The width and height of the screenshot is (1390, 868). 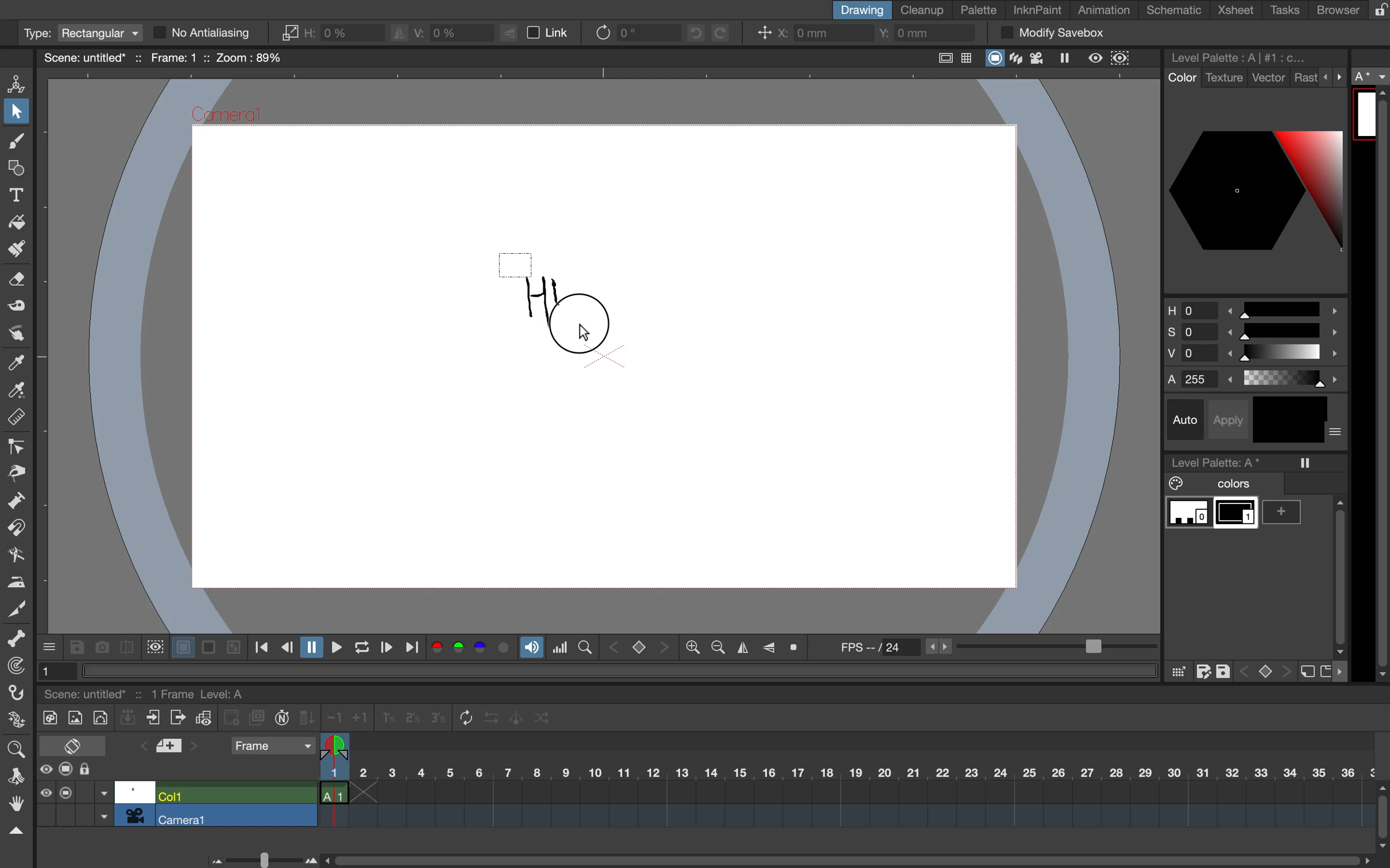 What do you see at coordinates (542, 33) in the screenshot?
I see `link` at bounding box center [542, 33].